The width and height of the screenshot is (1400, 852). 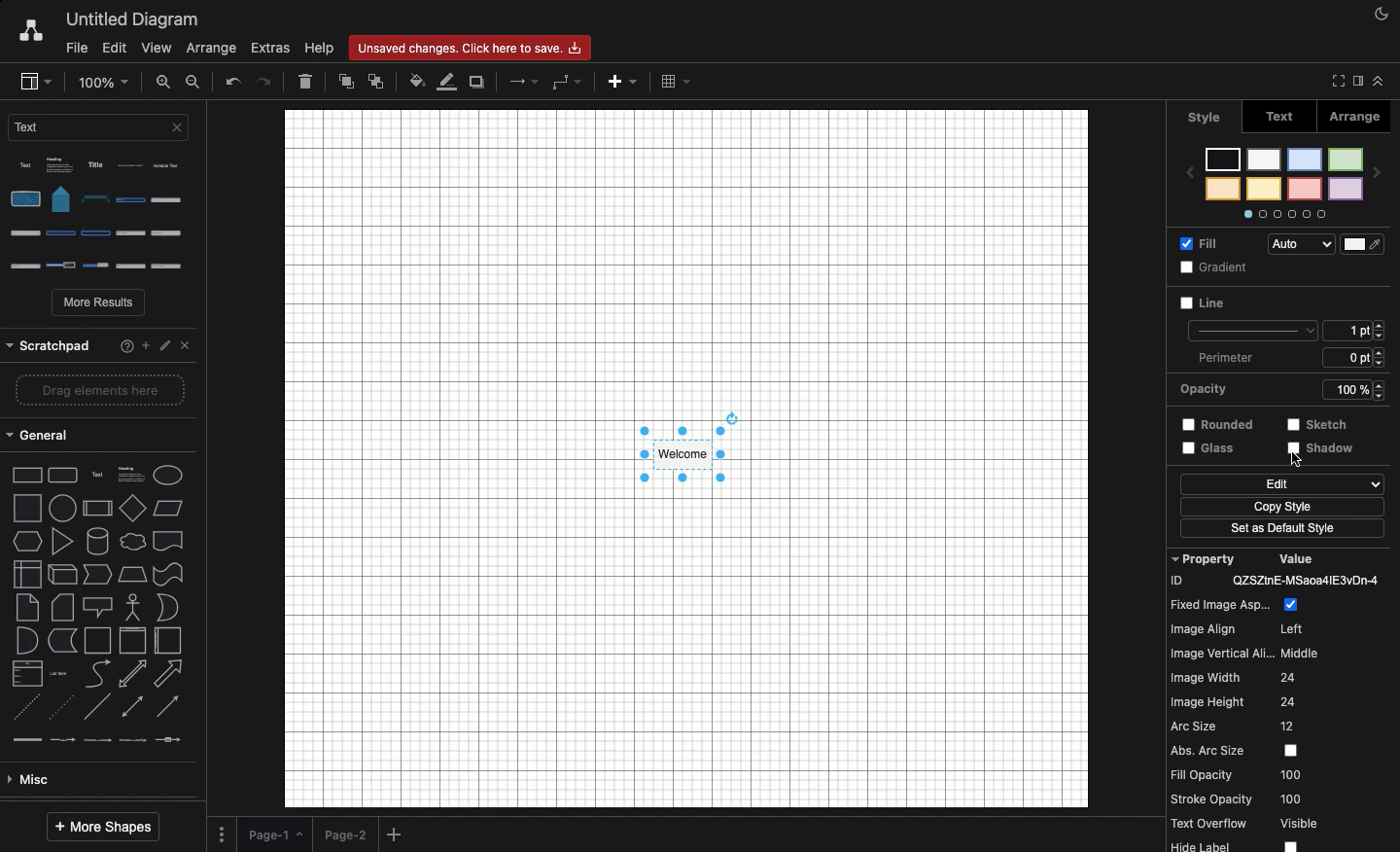 What do you see at coordinates (1283, 485) in the screenshot?
I see `Copy style` at bounding box center [1283, 485].